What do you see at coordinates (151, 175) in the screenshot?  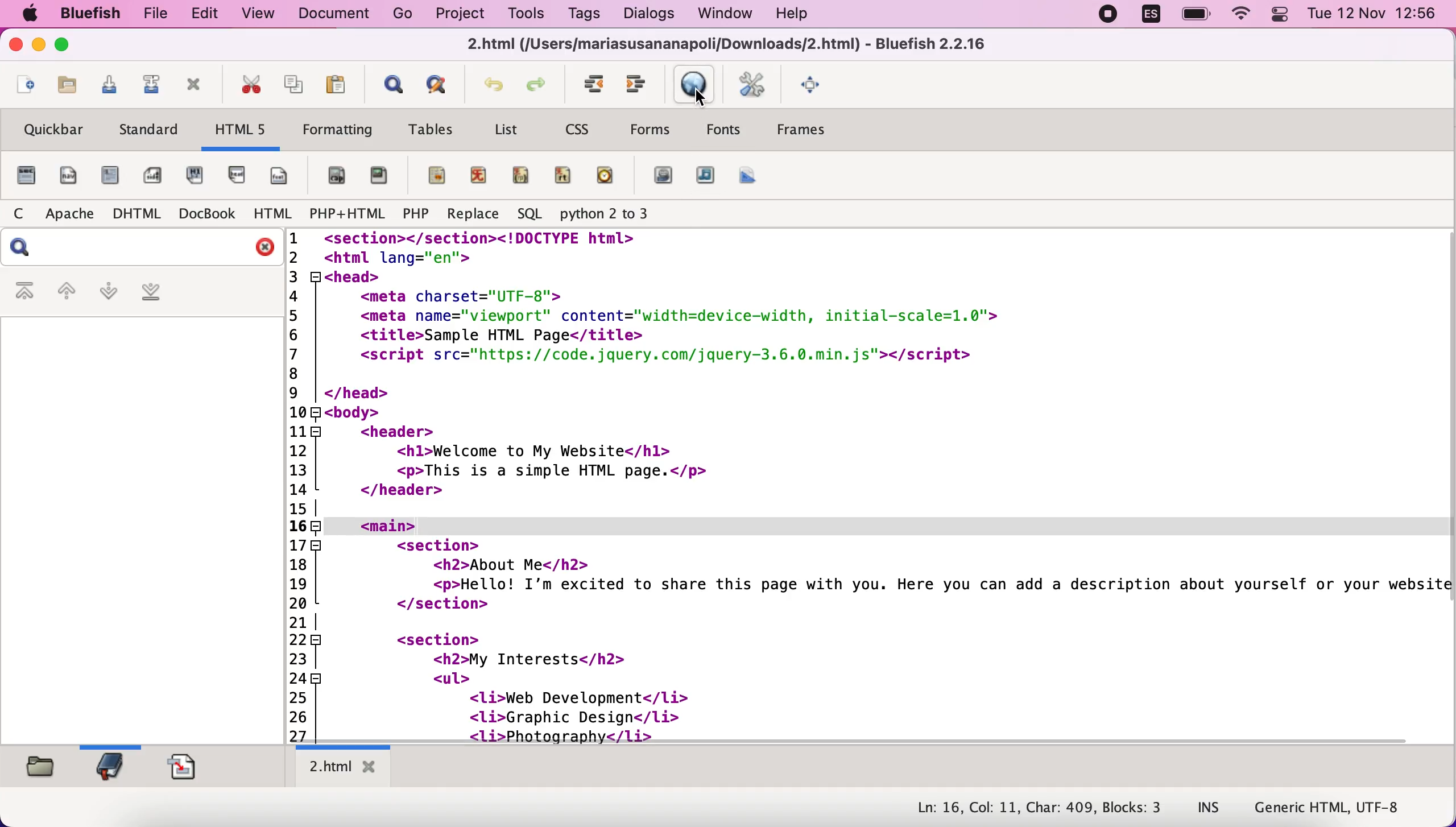 I see `emphasis` at bounding box center [151, 175].